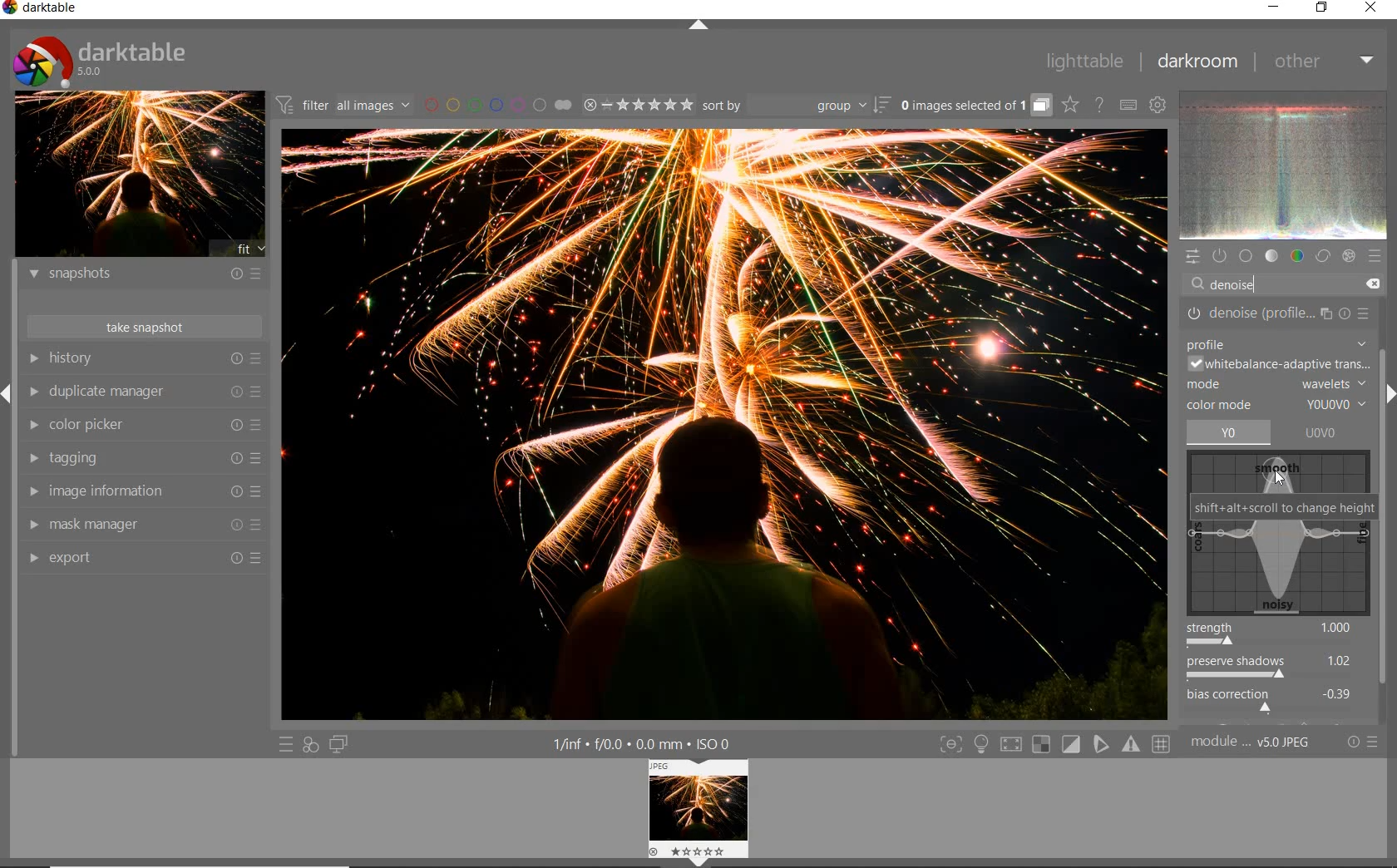  What do you see at coordinates (42, 9) in the screenshot?
I see `Darktable` at bounding box center [42, 9].